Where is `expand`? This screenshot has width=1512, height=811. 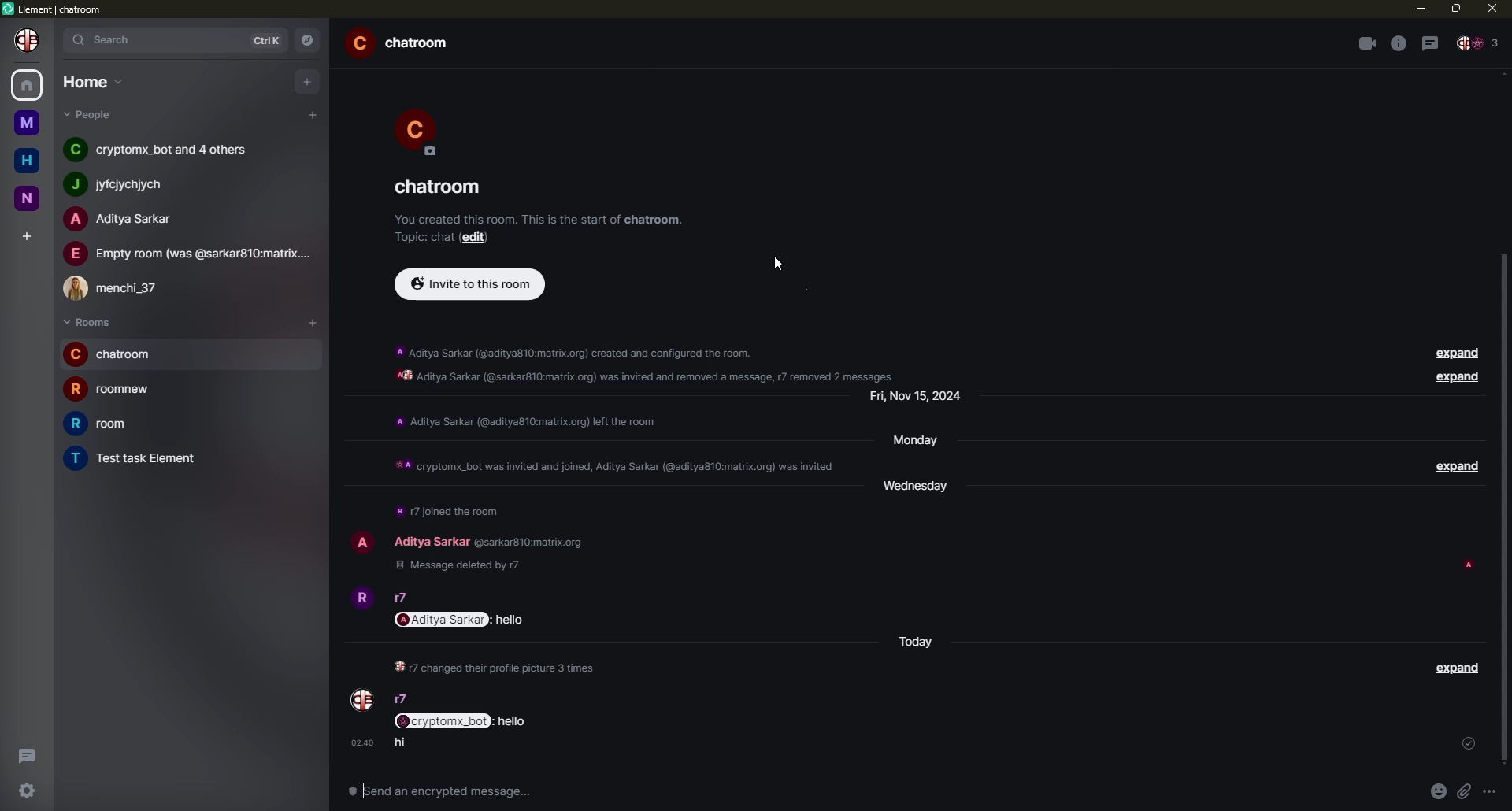 expand is located at coordinates (1458, 352).